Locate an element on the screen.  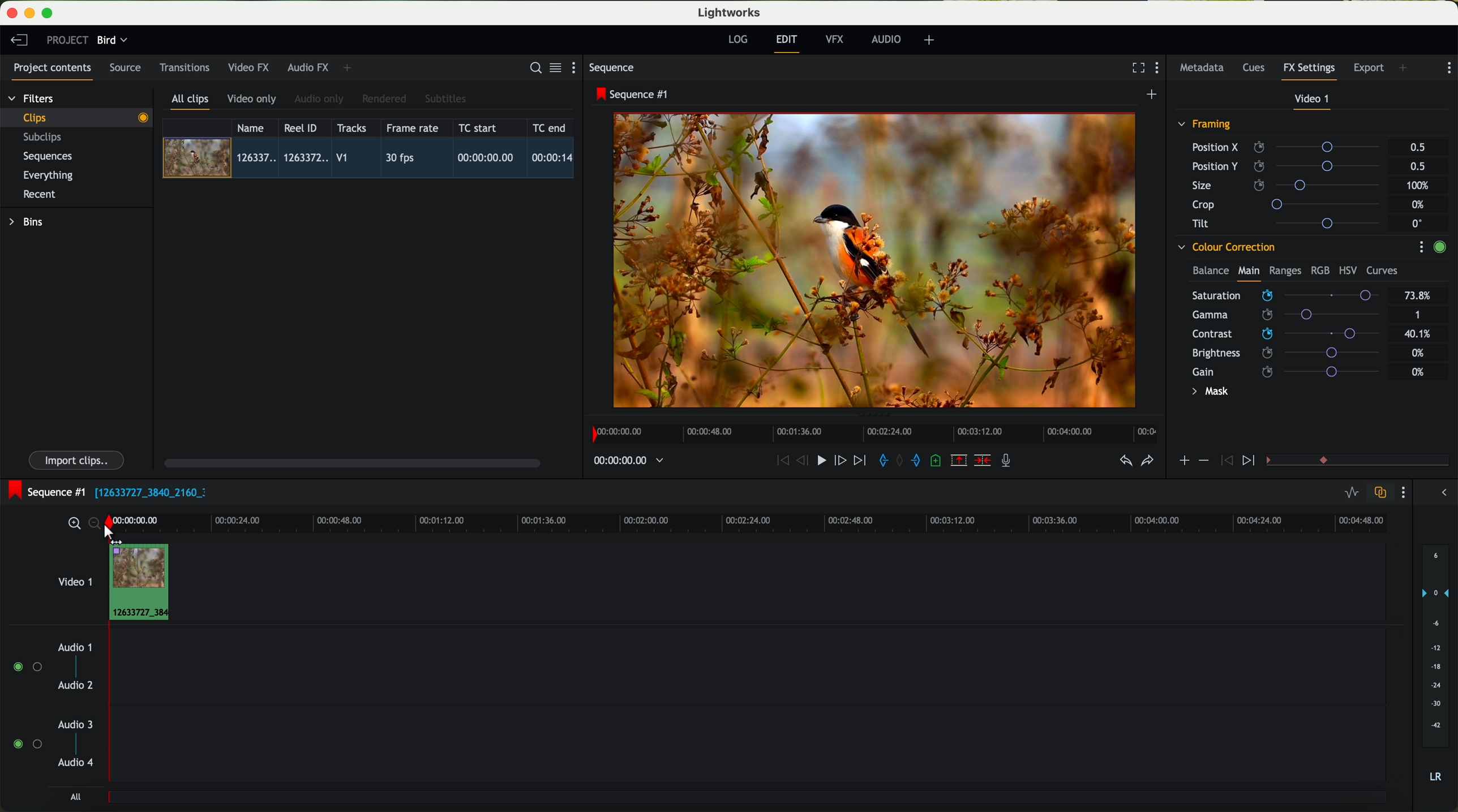
video only is located at coordinates (251, 100).